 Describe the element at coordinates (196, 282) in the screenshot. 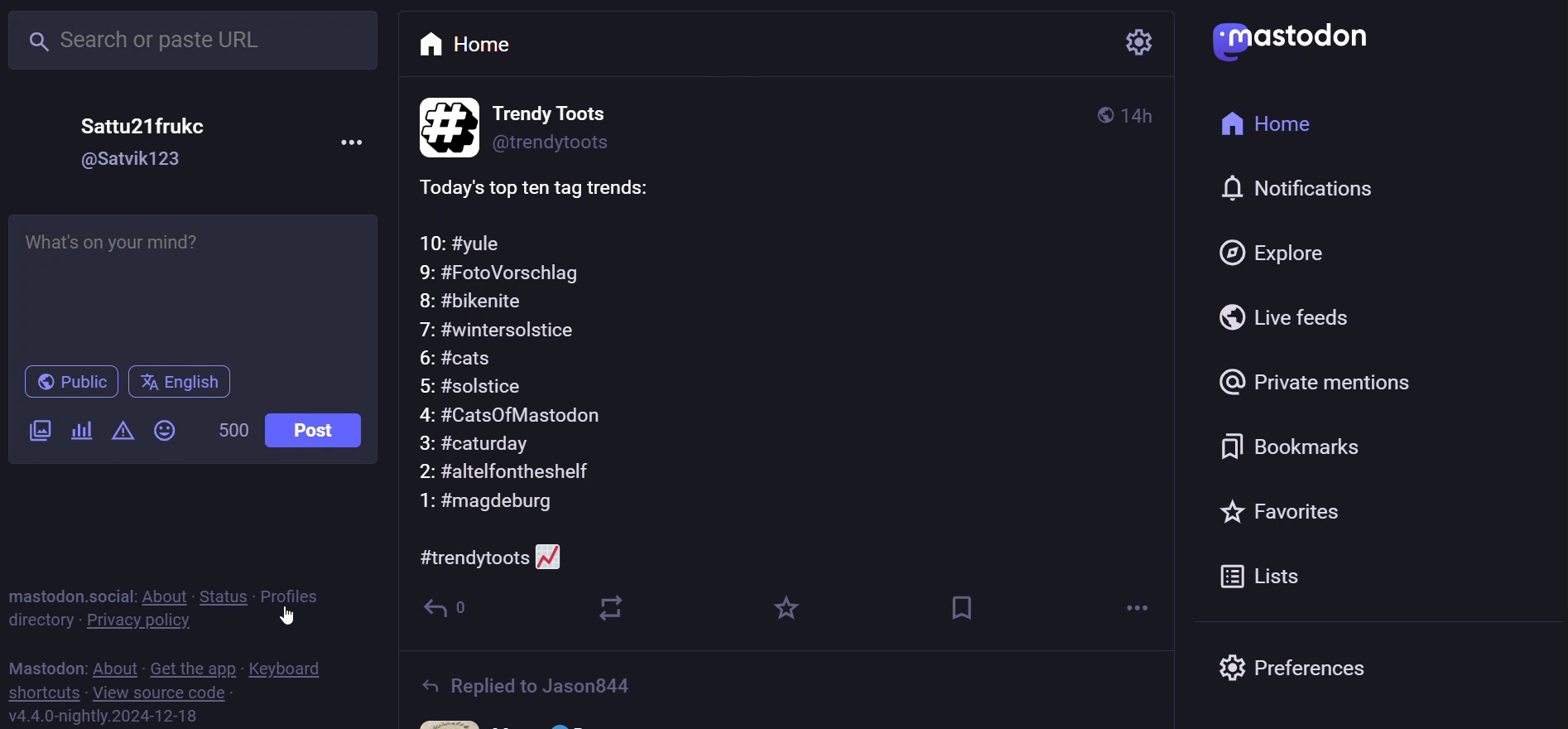

I see `Whats on your mind` at that location.